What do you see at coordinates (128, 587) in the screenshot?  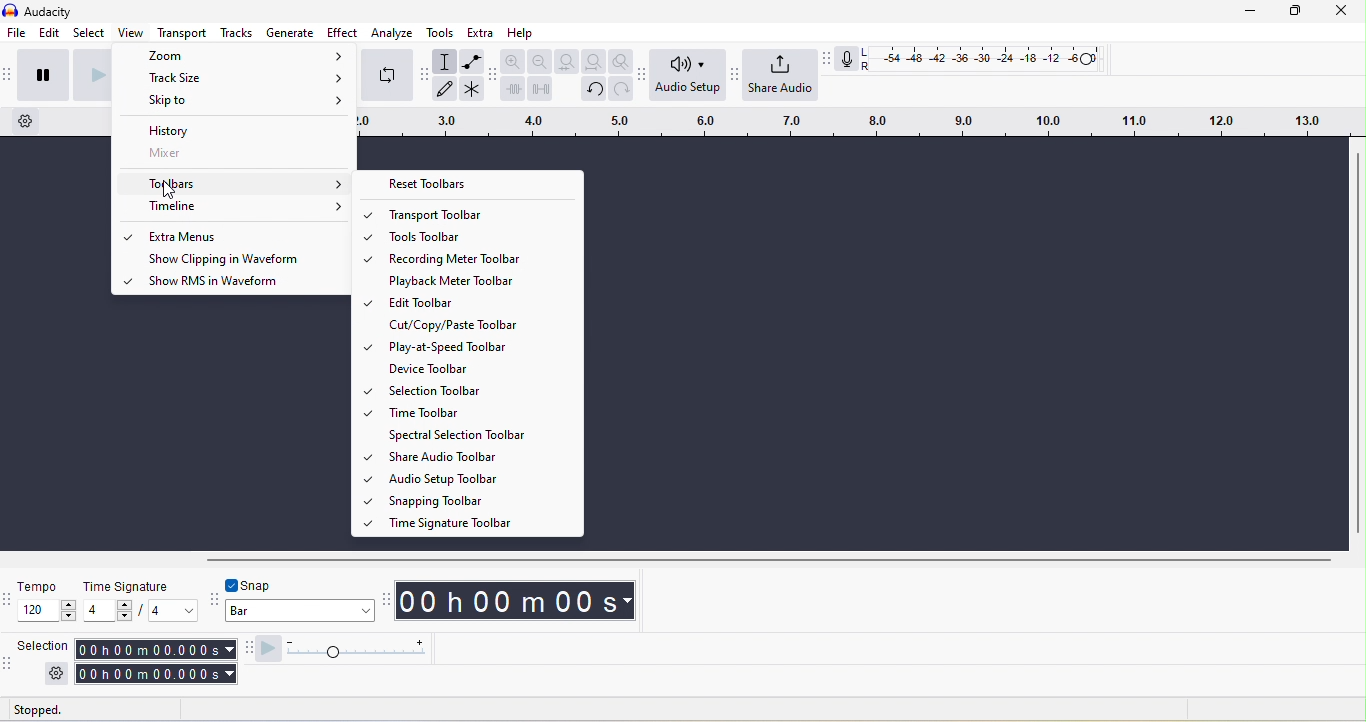 I see `time signature` at bounding box center [128, 587].